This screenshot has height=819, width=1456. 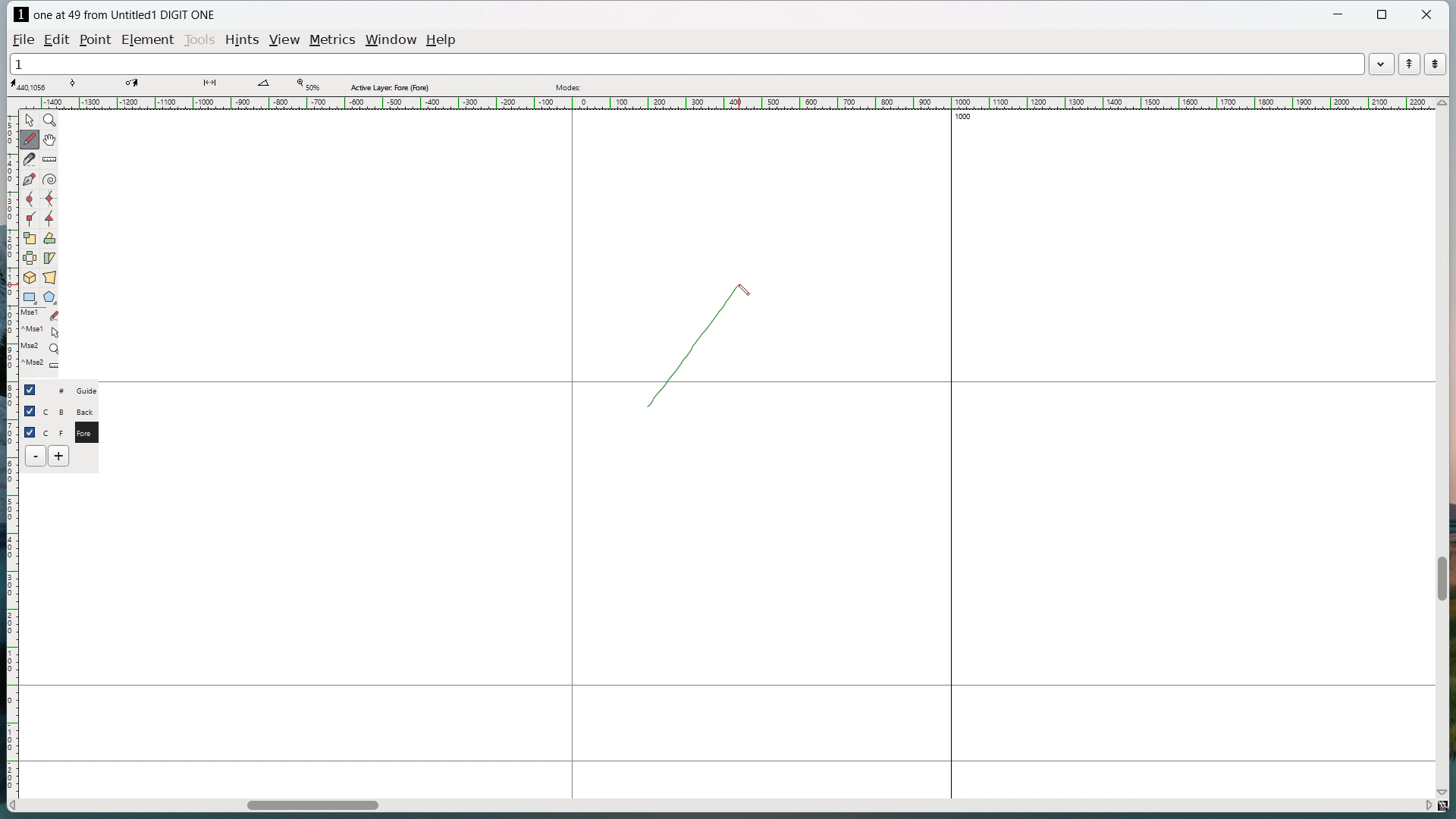 What do you see at coordinates (72, 431) in the screenshot?
I see `C F Fore` at bounding box center [72, 431].